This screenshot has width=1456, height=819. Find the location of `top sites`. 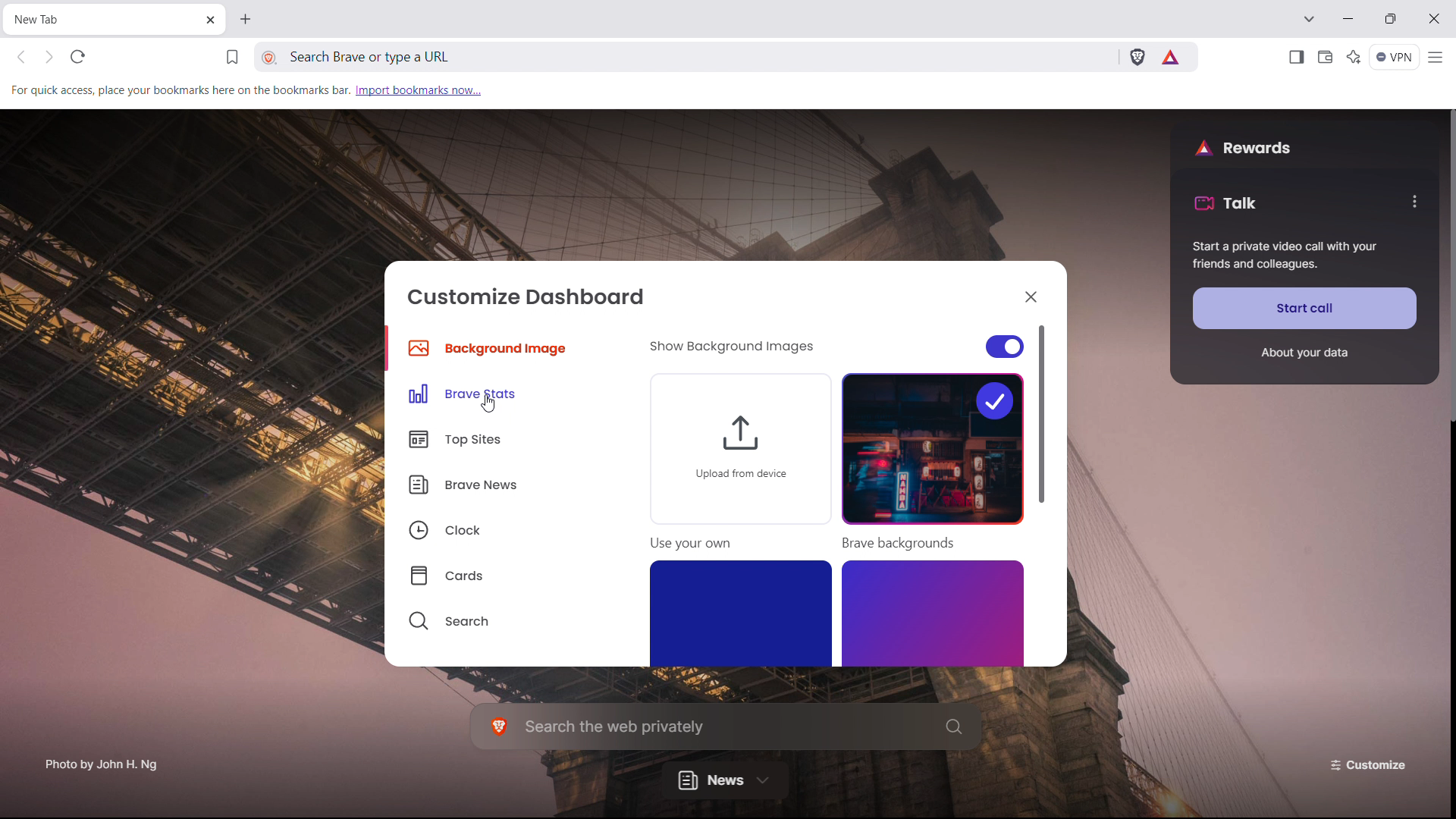

top sites is located at coordinates (507, 439).